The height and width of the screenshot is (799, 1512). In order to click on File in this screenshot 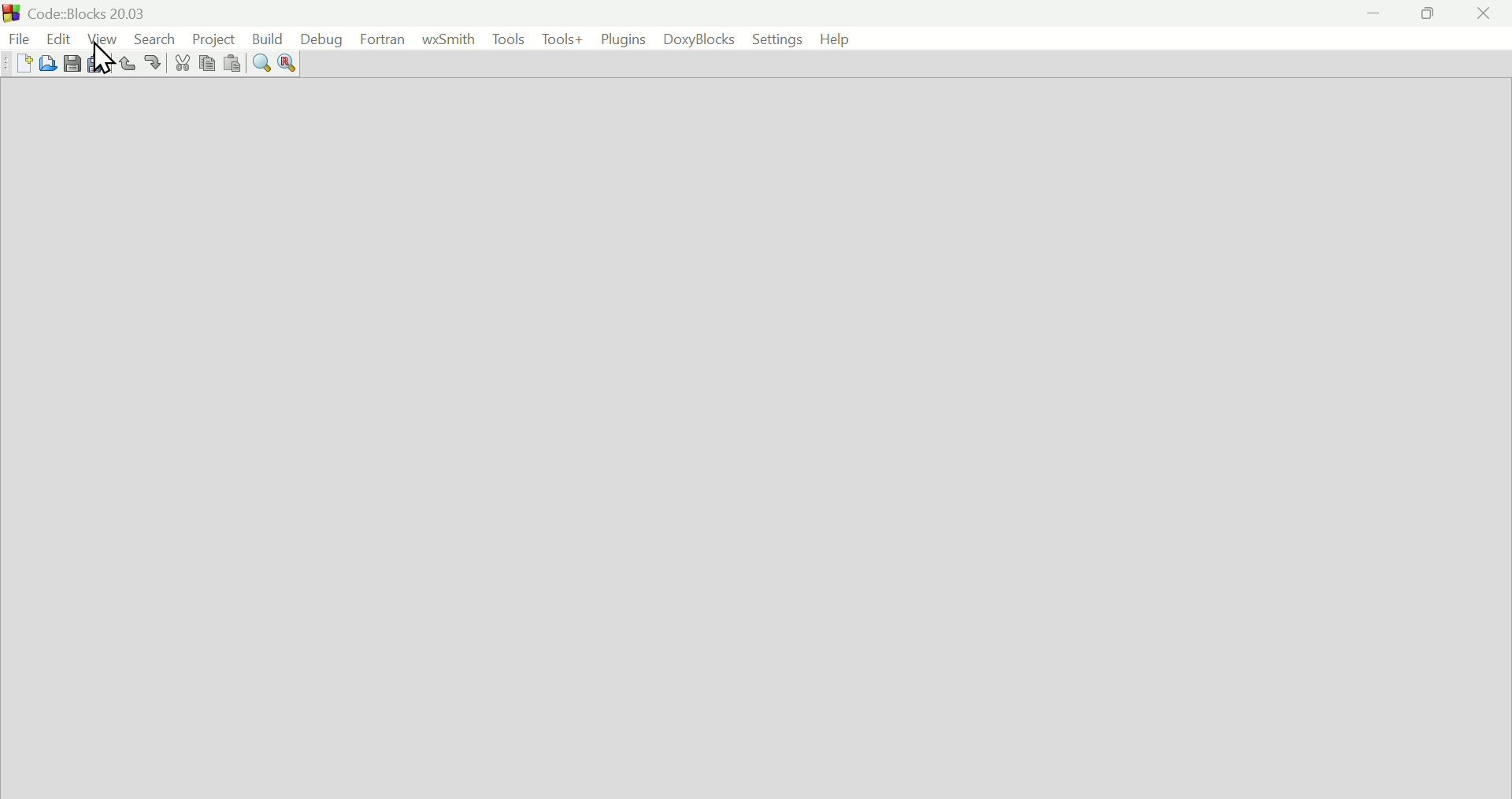, I will do `click(17, 36)`.